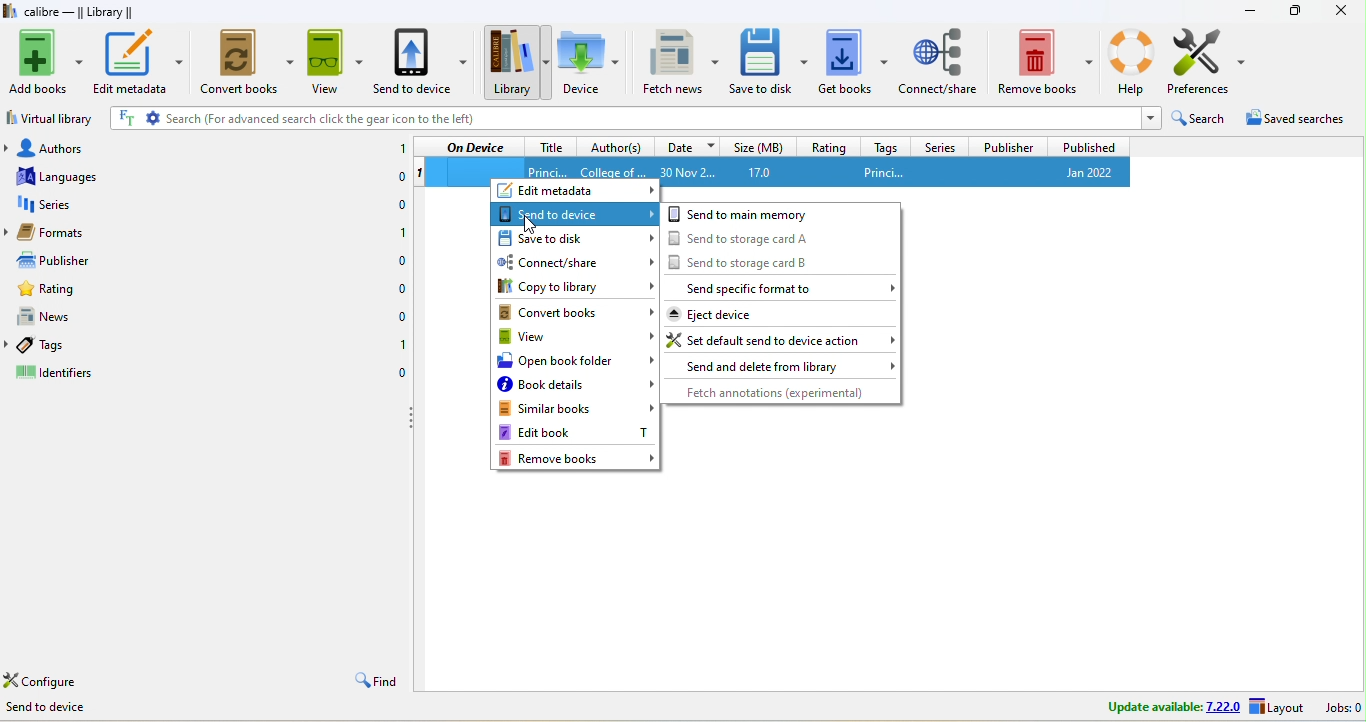 The width and height of the screenshot is (1366, 722). I want to click on view, so click(334, 64).